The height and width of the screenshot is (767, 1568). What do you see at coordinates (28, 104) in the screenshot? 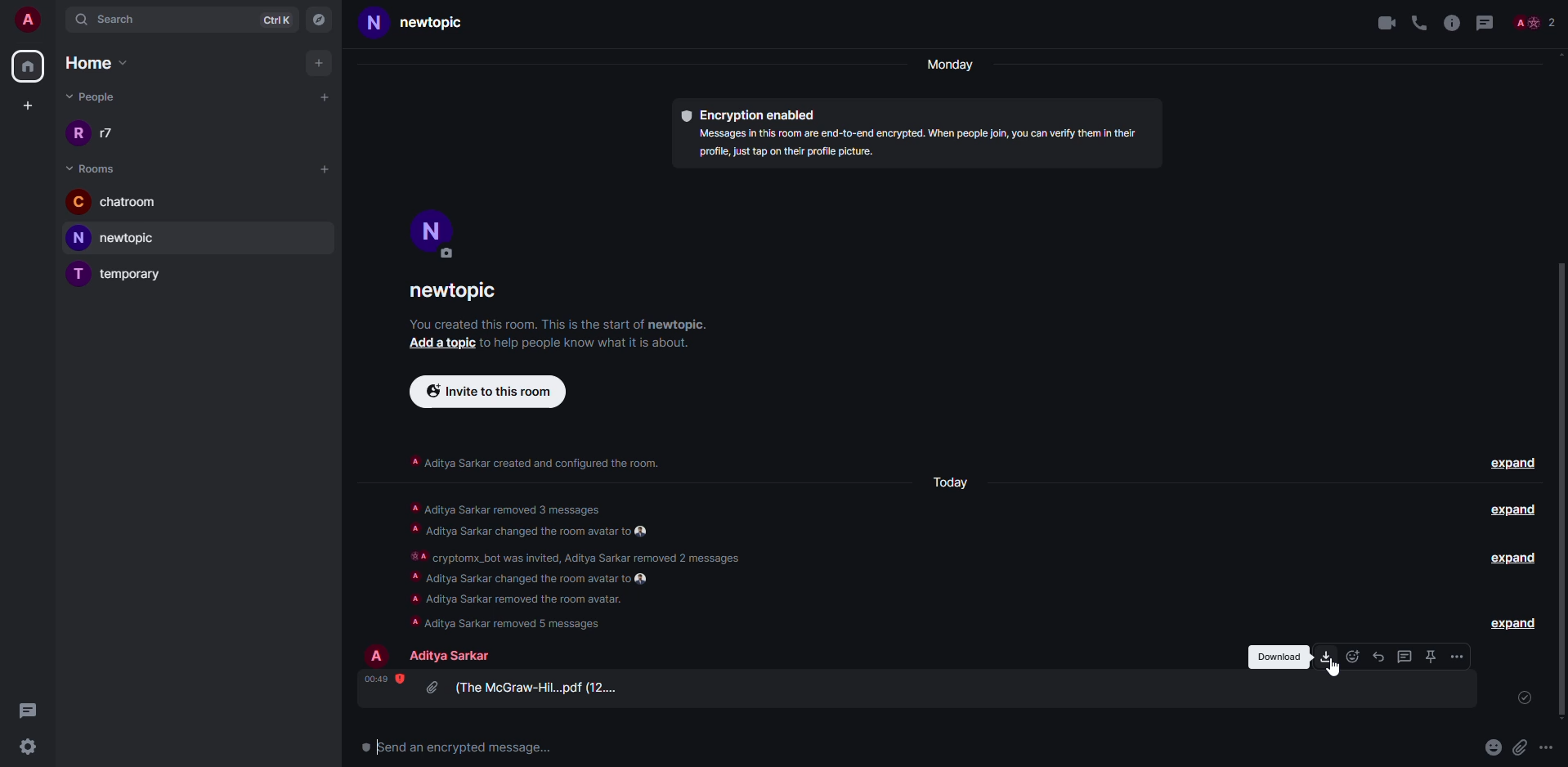
I see `create space` at bounding box center [28, 104].